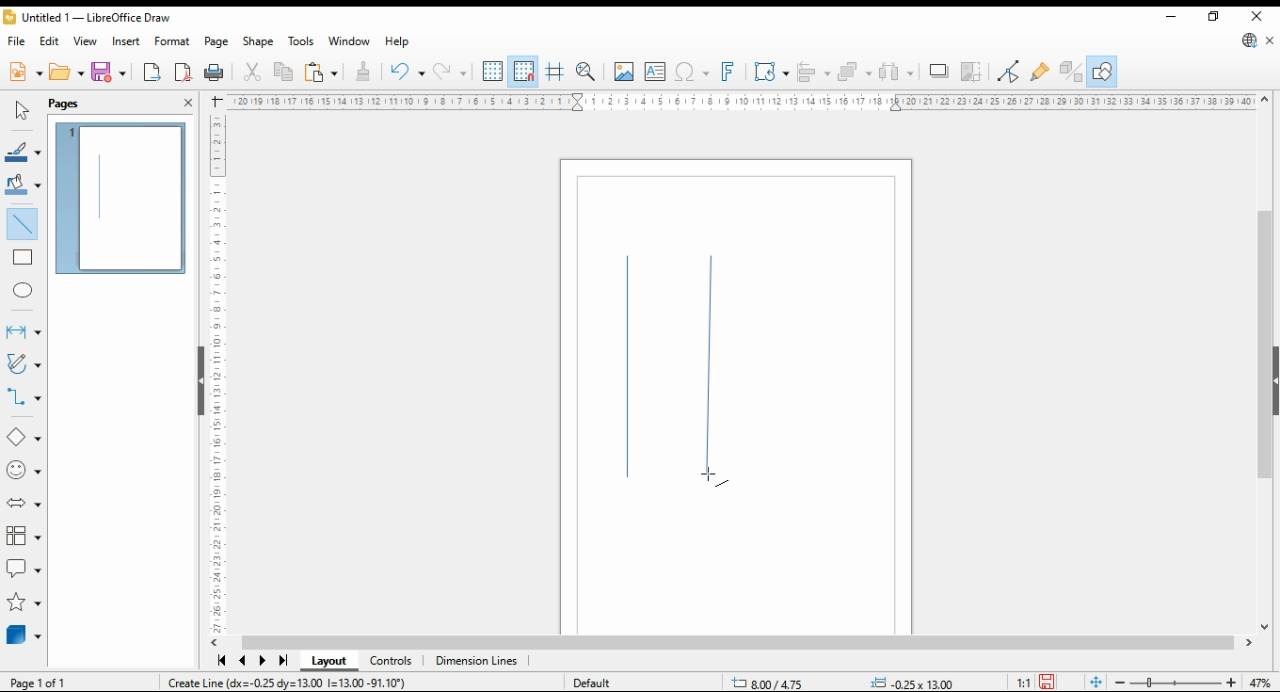 The height and width of the screenshot is (692, 1280). What do you see at coordinates (187, 101) in the screenshot?
I see `close pane` at bounding box center [187, 101].